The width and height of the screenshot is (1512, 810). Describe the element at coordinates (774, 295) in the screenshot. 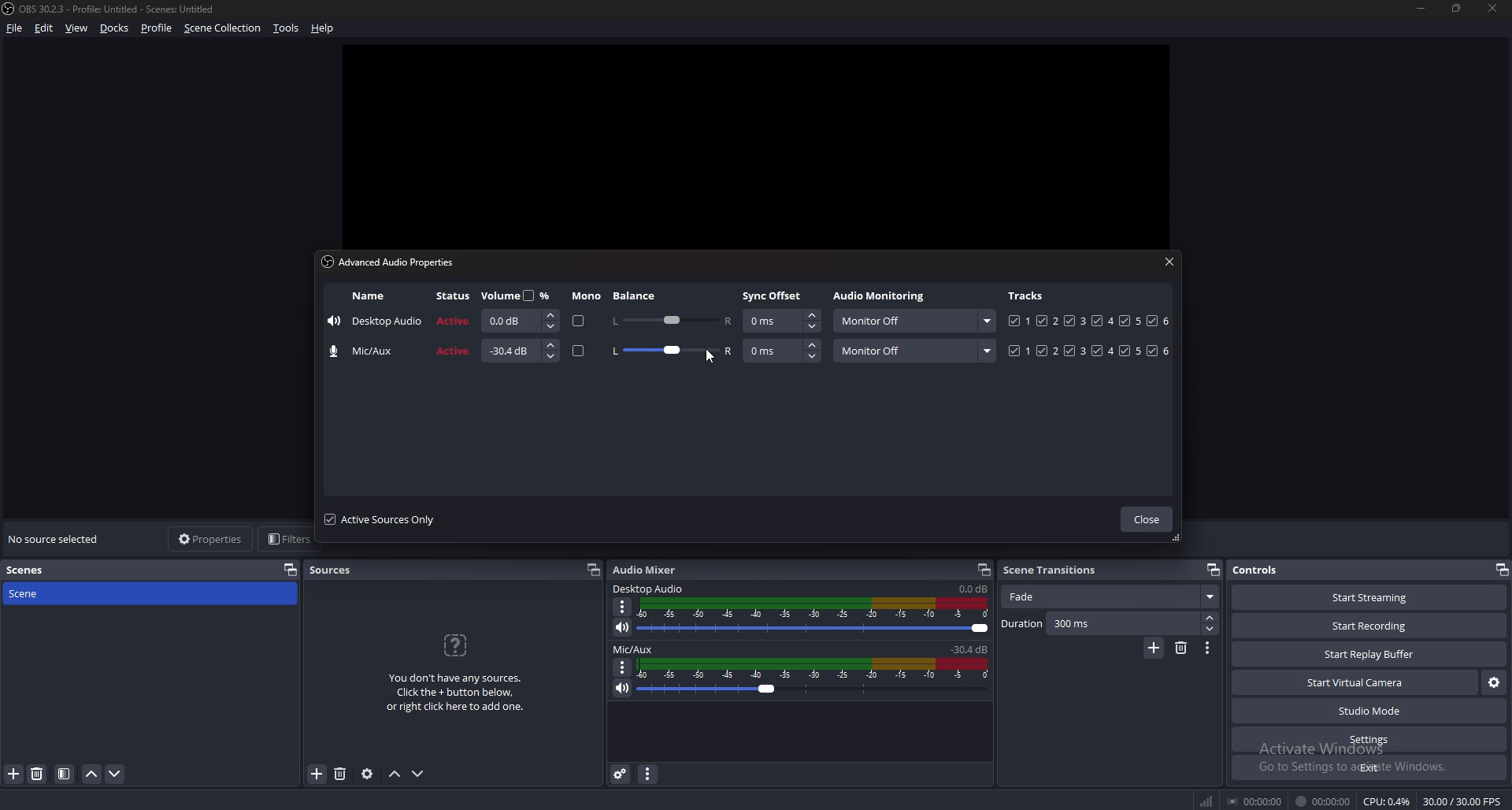

I see `sync offset` at that location.